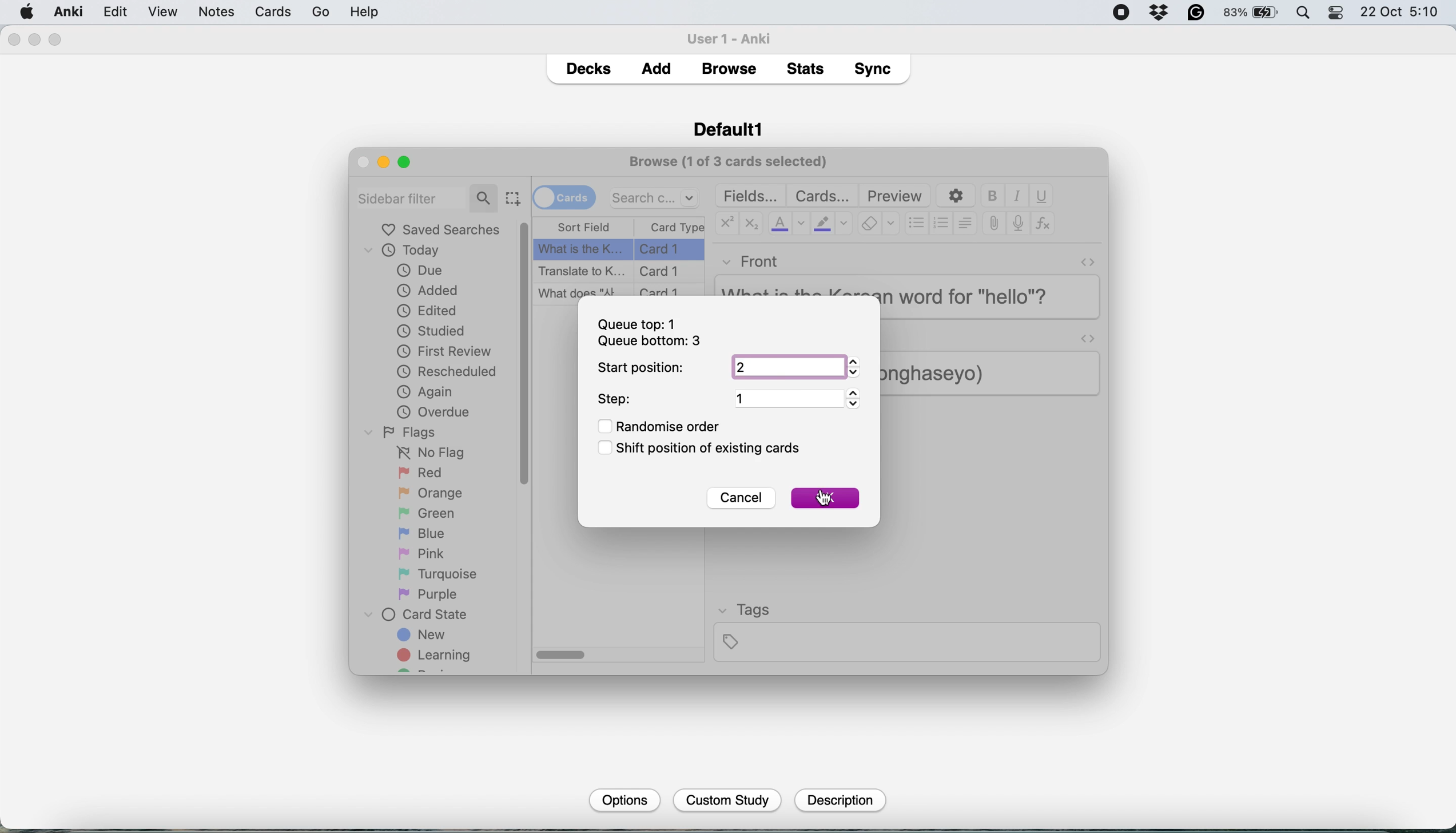 Image resolution: width=1456 pixels, height=833 pixels. I want to click on flags, so click(404, 431).